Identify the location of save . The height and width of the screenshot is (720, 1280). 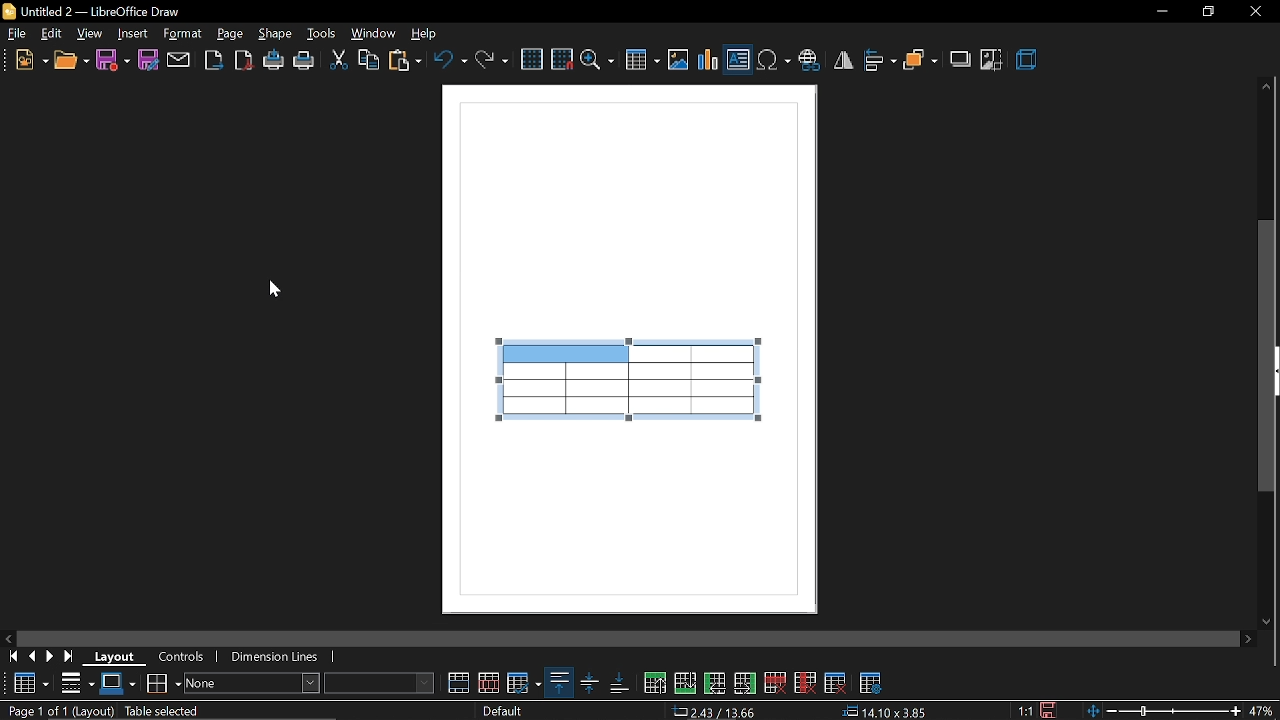
(112, 61).